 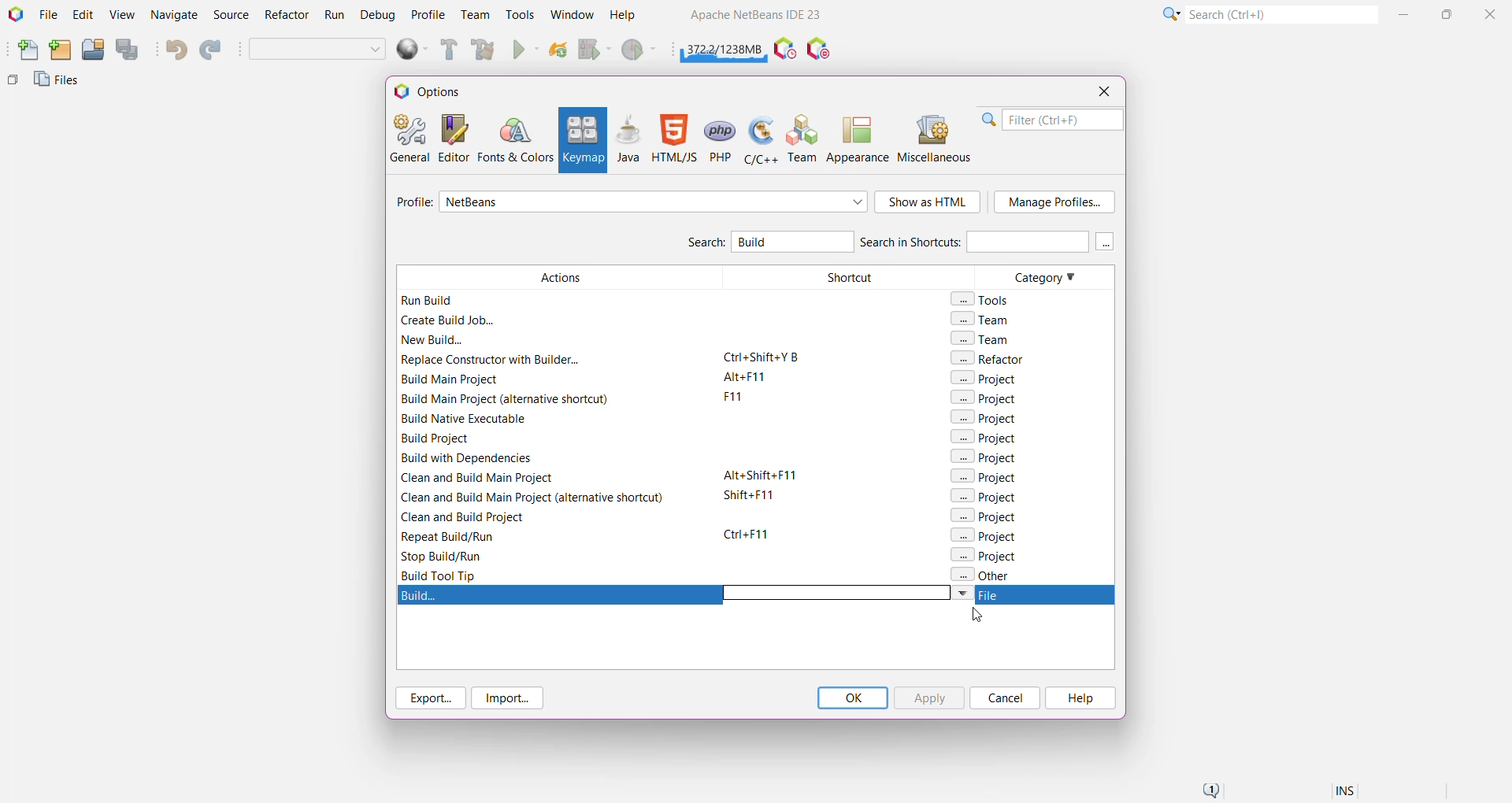 What do you see at coordinates (428, 14) in the screenshot?
I see `Profile` at bounding box center [428, 14].